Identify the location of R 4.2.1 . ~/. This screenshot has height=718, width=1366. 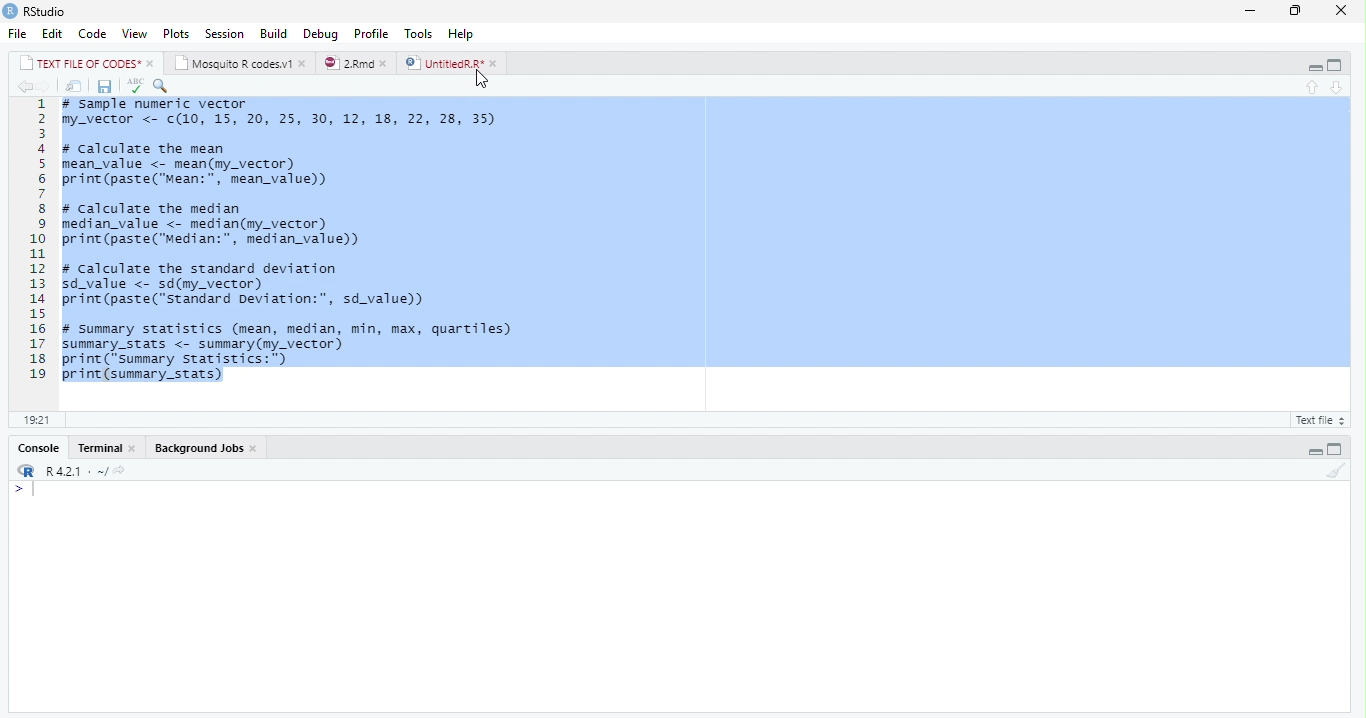
(86, 472).